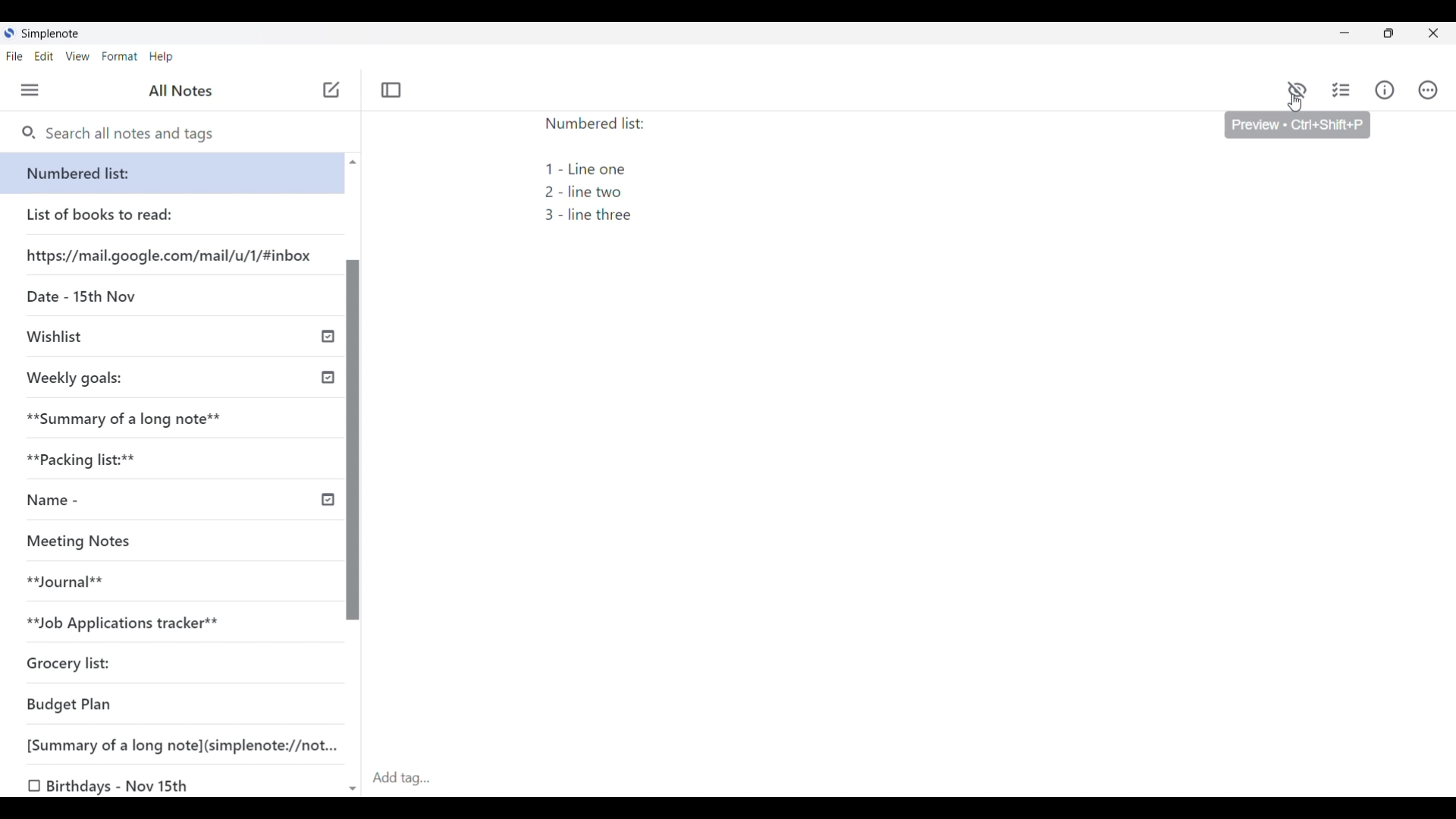  What do you see at coordinates (1295, 103) in the screenshot?
I see `Cursor clicking on Markdown preview` at bounding box center [1295, 103].